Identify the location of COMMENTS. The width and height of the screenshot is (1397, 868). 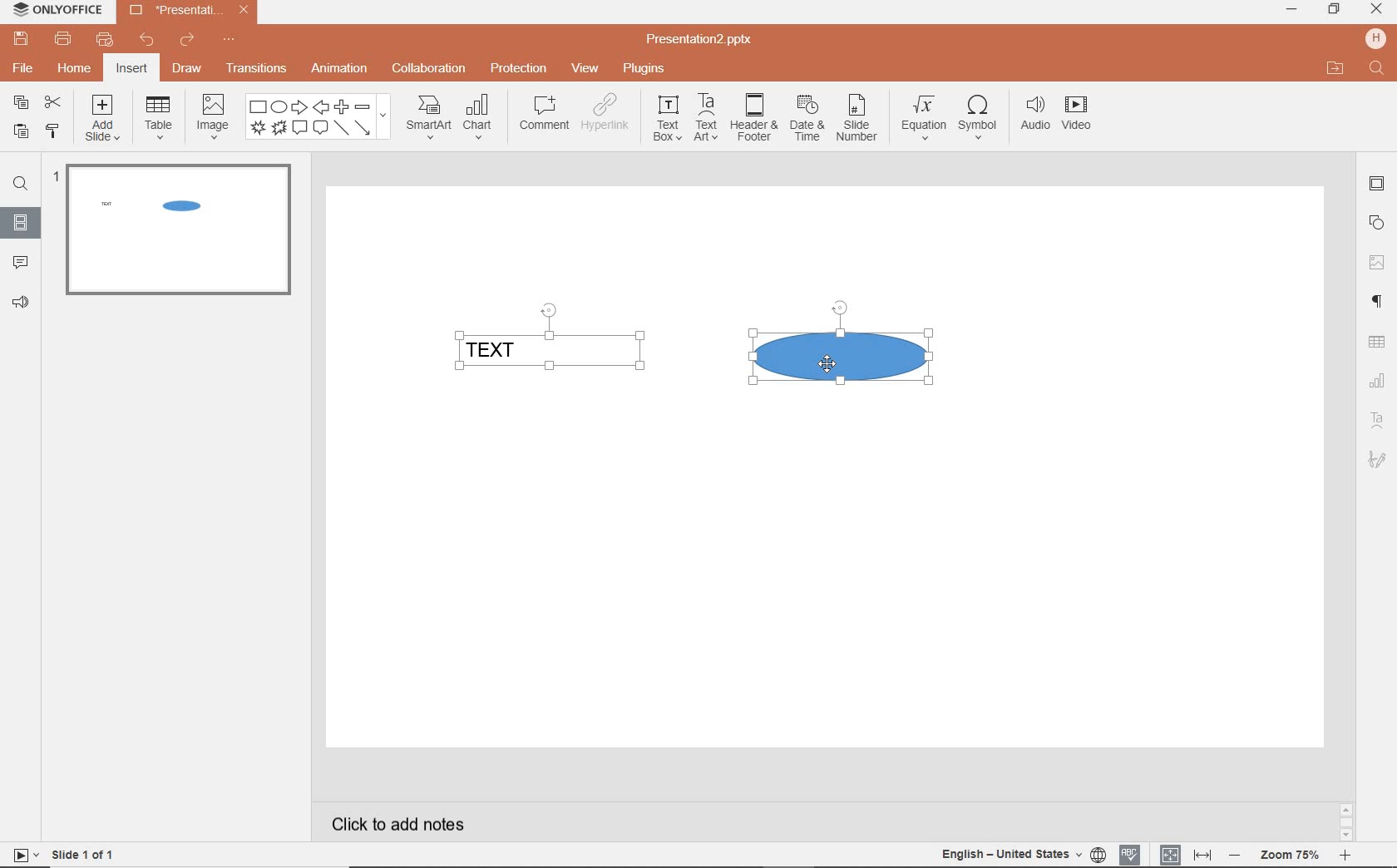
(19, 259).